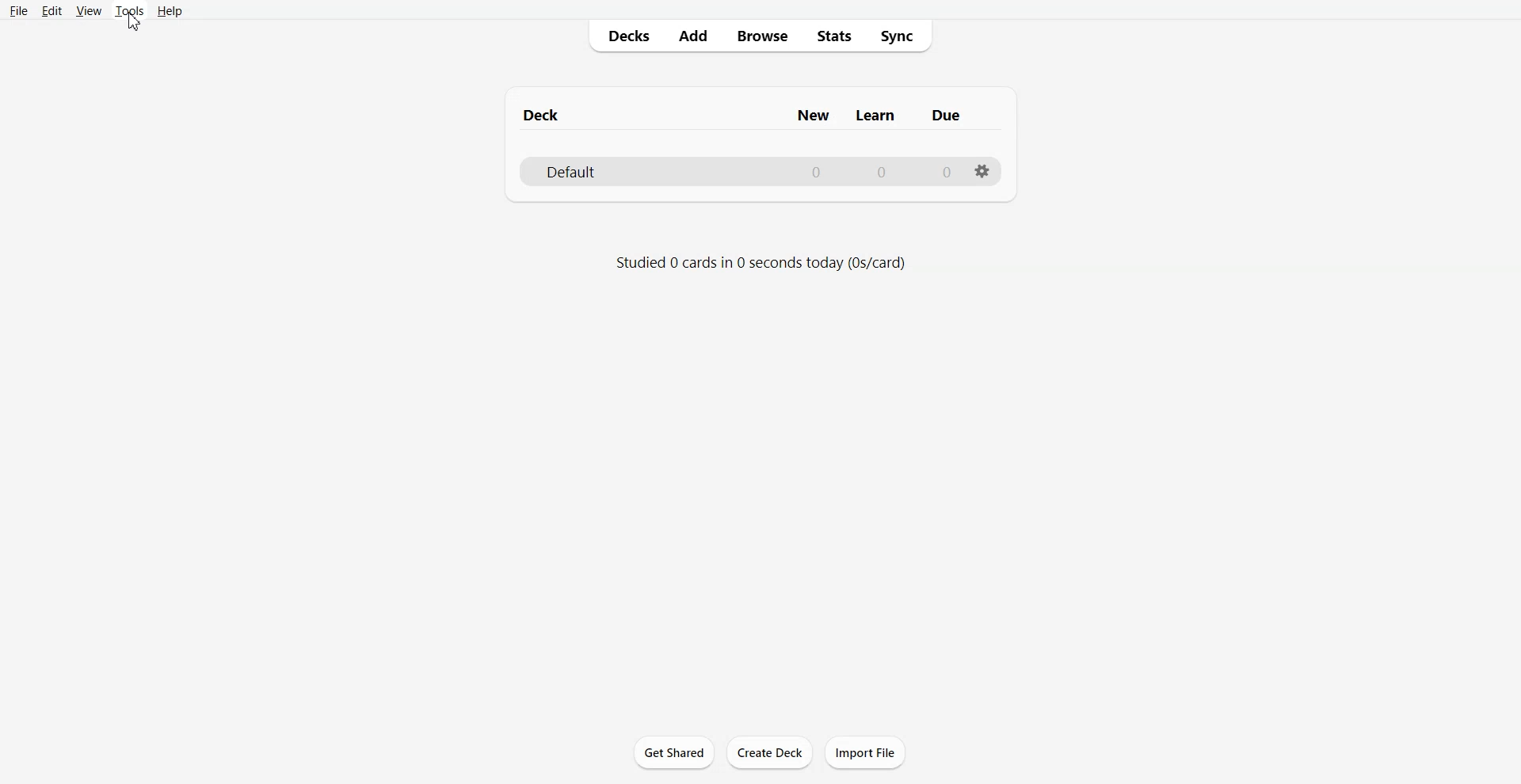  I want to click on Add, so click(692, 36).